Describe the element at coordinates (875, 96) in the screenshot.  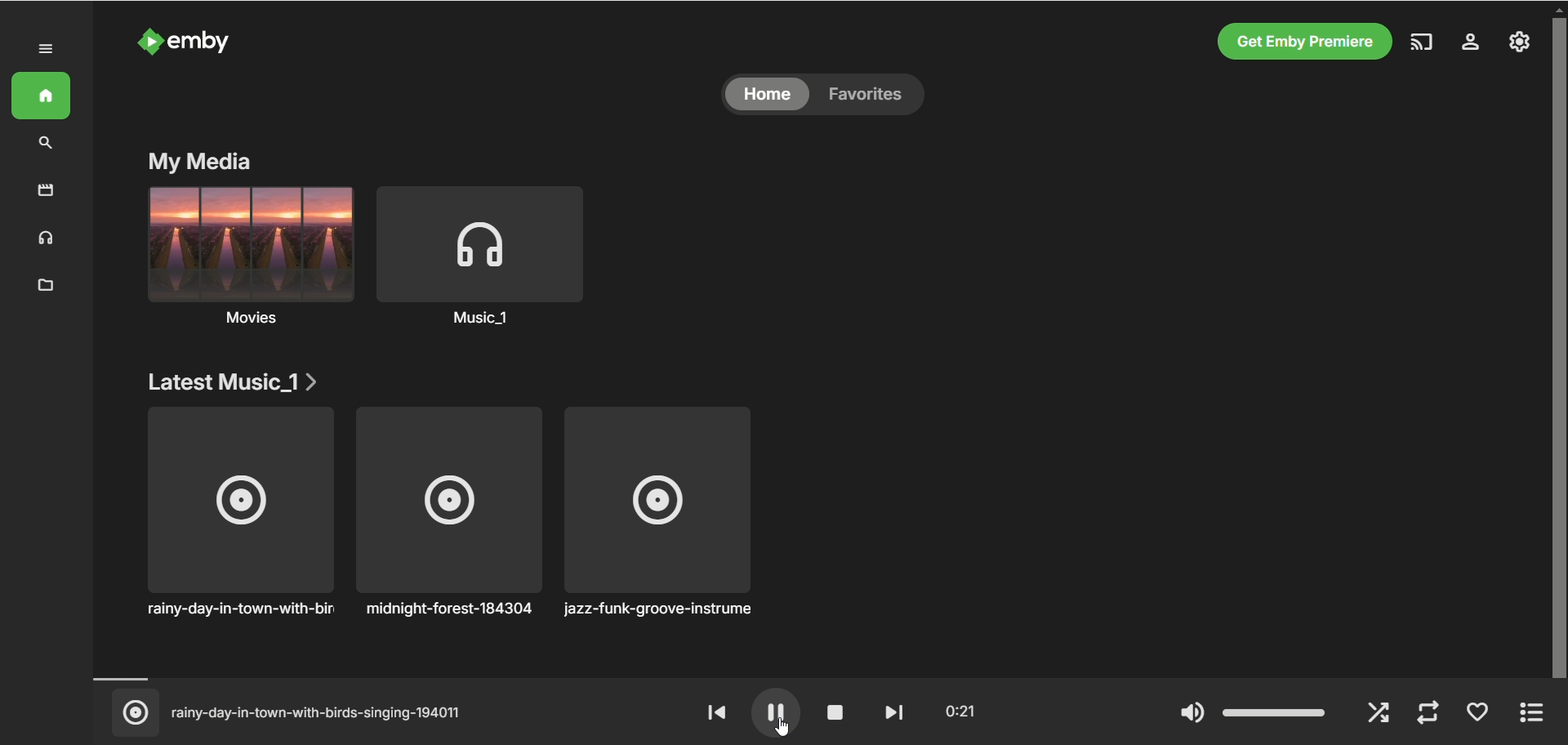
I see `favorites` at that location.